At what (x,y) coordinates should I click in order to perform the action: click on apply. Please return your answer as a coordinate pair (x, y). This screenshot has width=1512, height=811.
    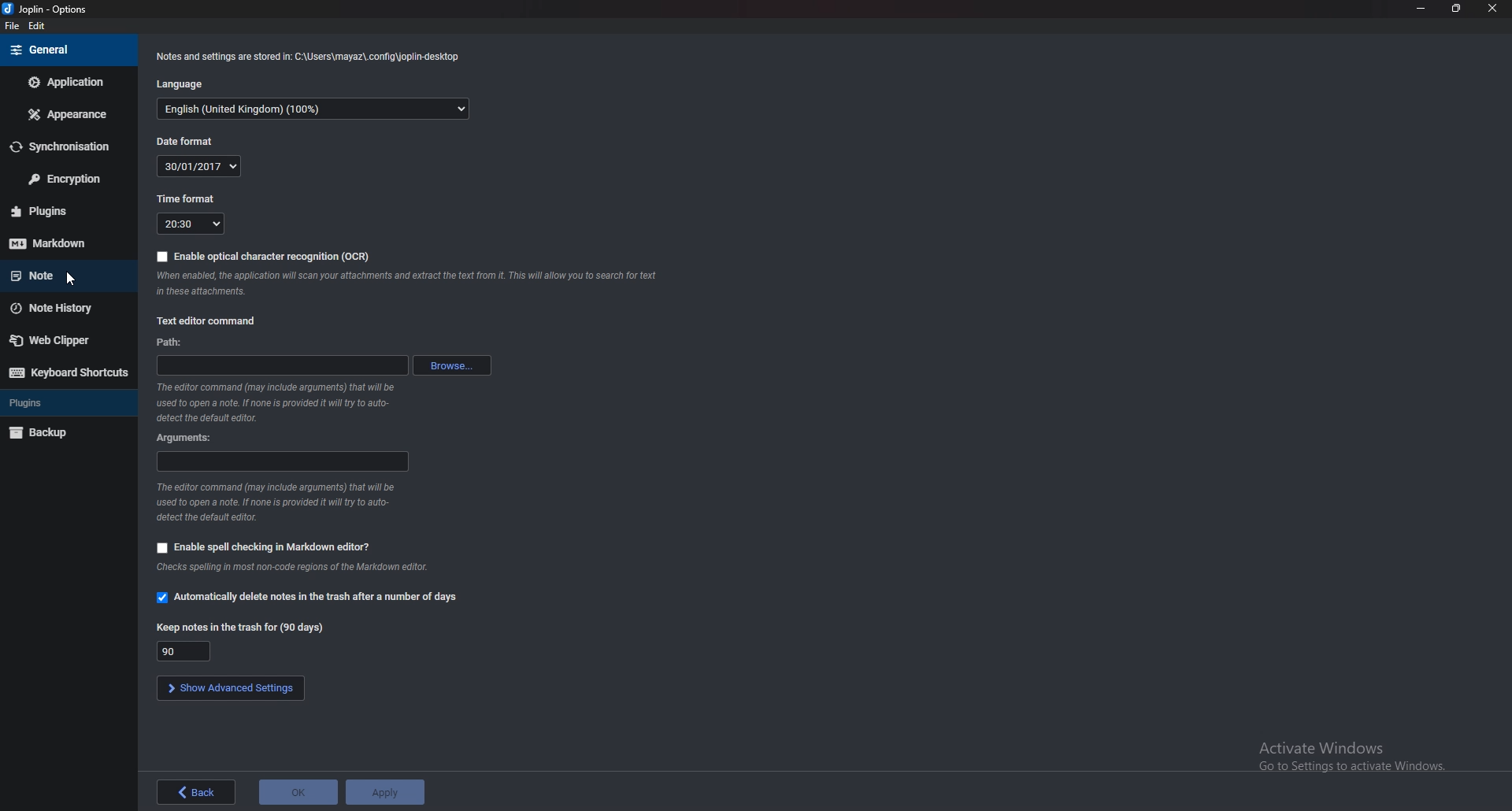
    Looking at the image, I should click on (385, 791).